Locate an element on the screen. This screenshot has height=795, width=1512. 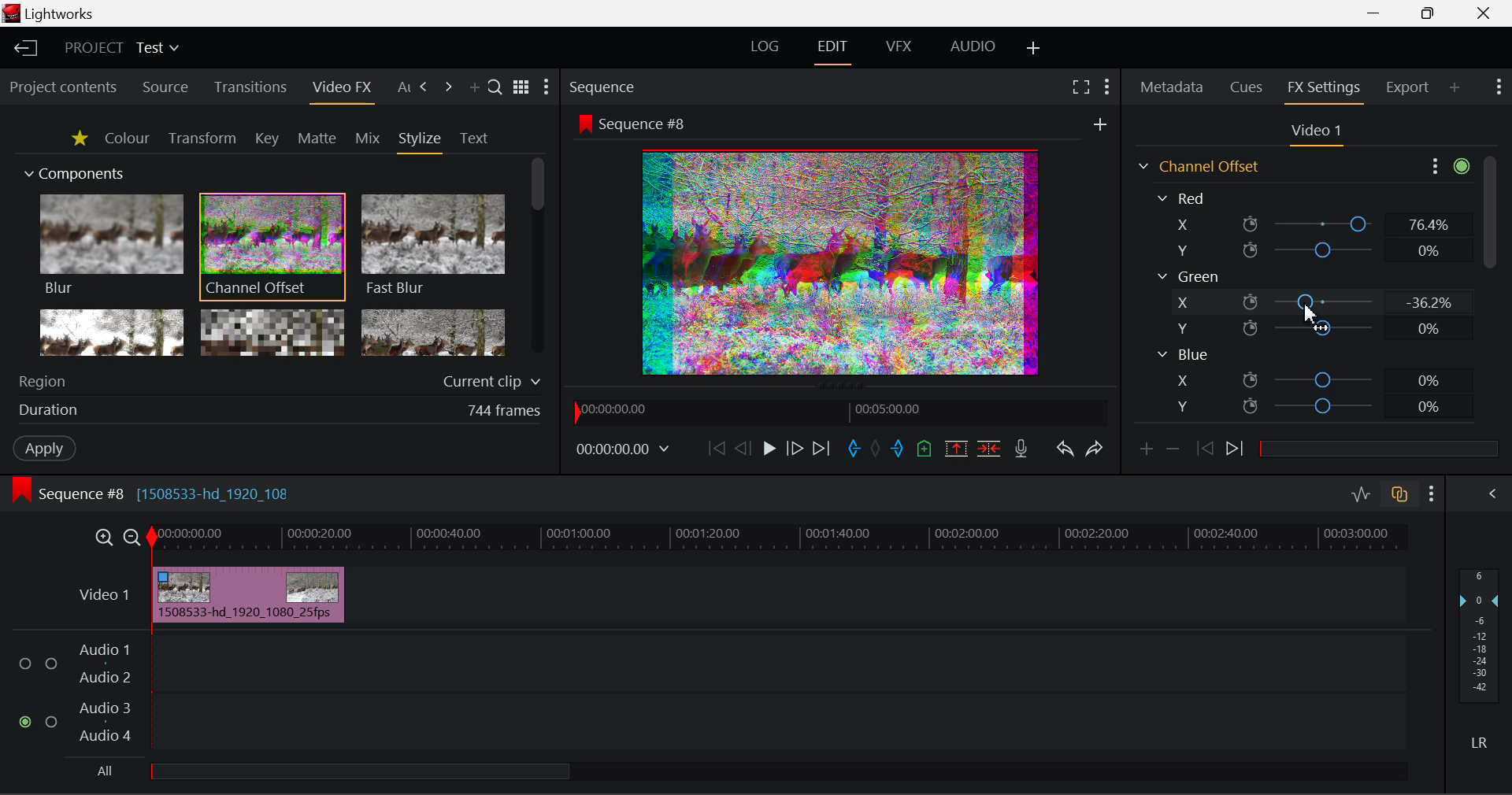
Frame Duration is located at coordinates (280, 412).